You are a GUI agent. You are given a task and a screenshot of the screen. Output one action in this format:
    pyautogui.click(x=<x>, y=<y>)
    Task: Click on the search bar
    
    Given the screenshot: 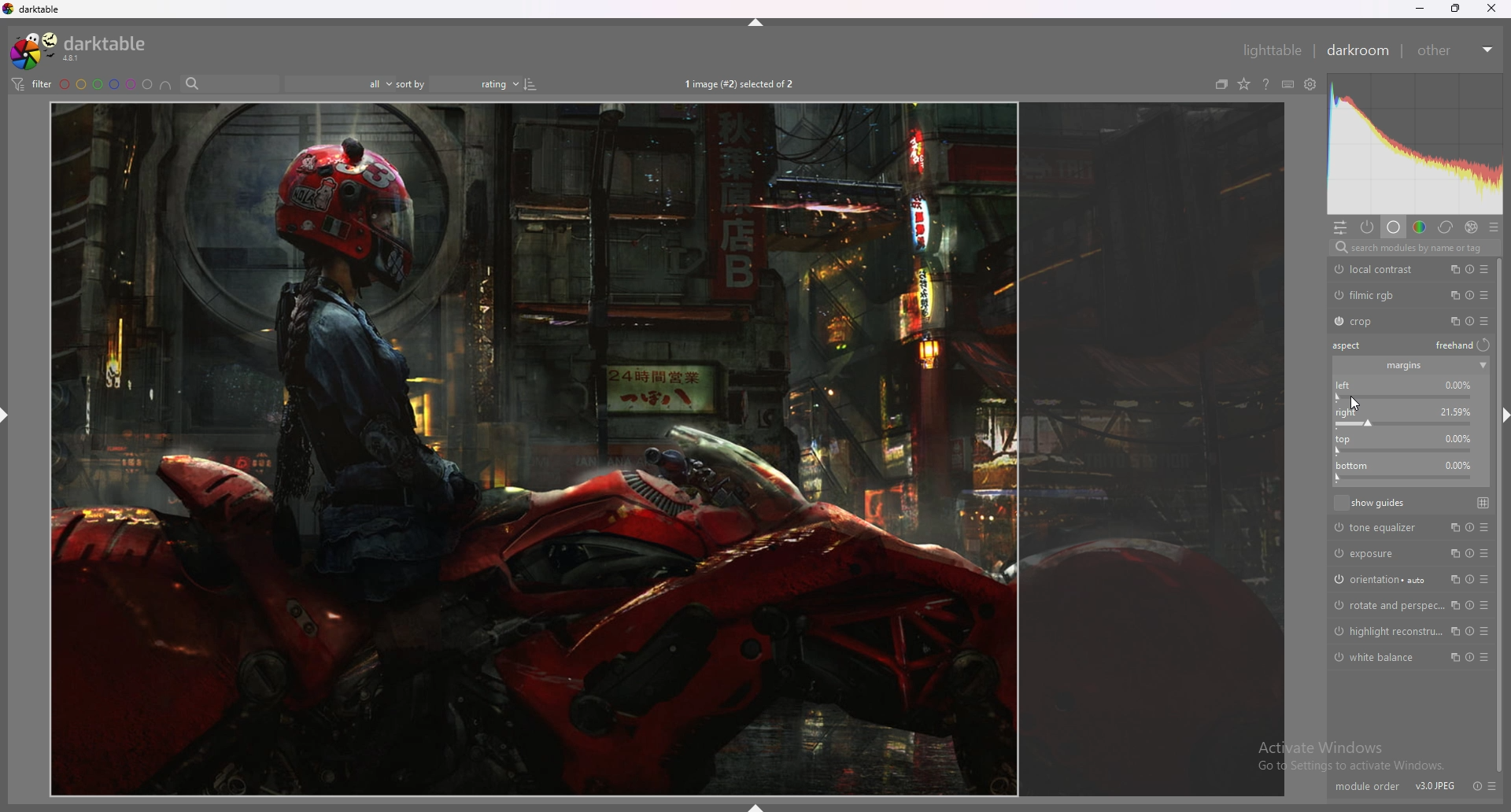 What is the action you would take?
    pyautogui.click(x=229, y=83)
    